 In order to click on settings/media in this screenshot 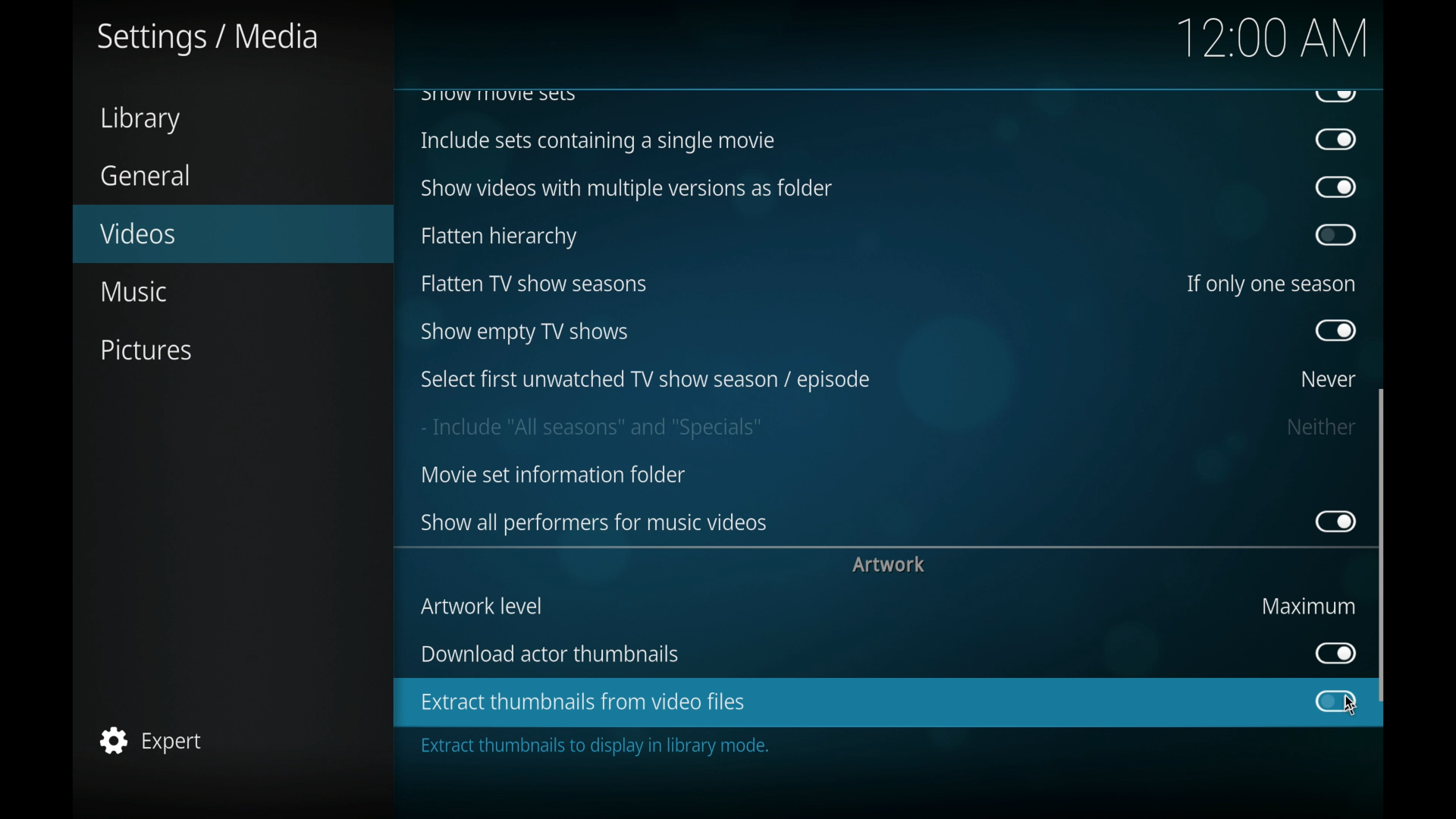, I will do `click(206, 38)`.